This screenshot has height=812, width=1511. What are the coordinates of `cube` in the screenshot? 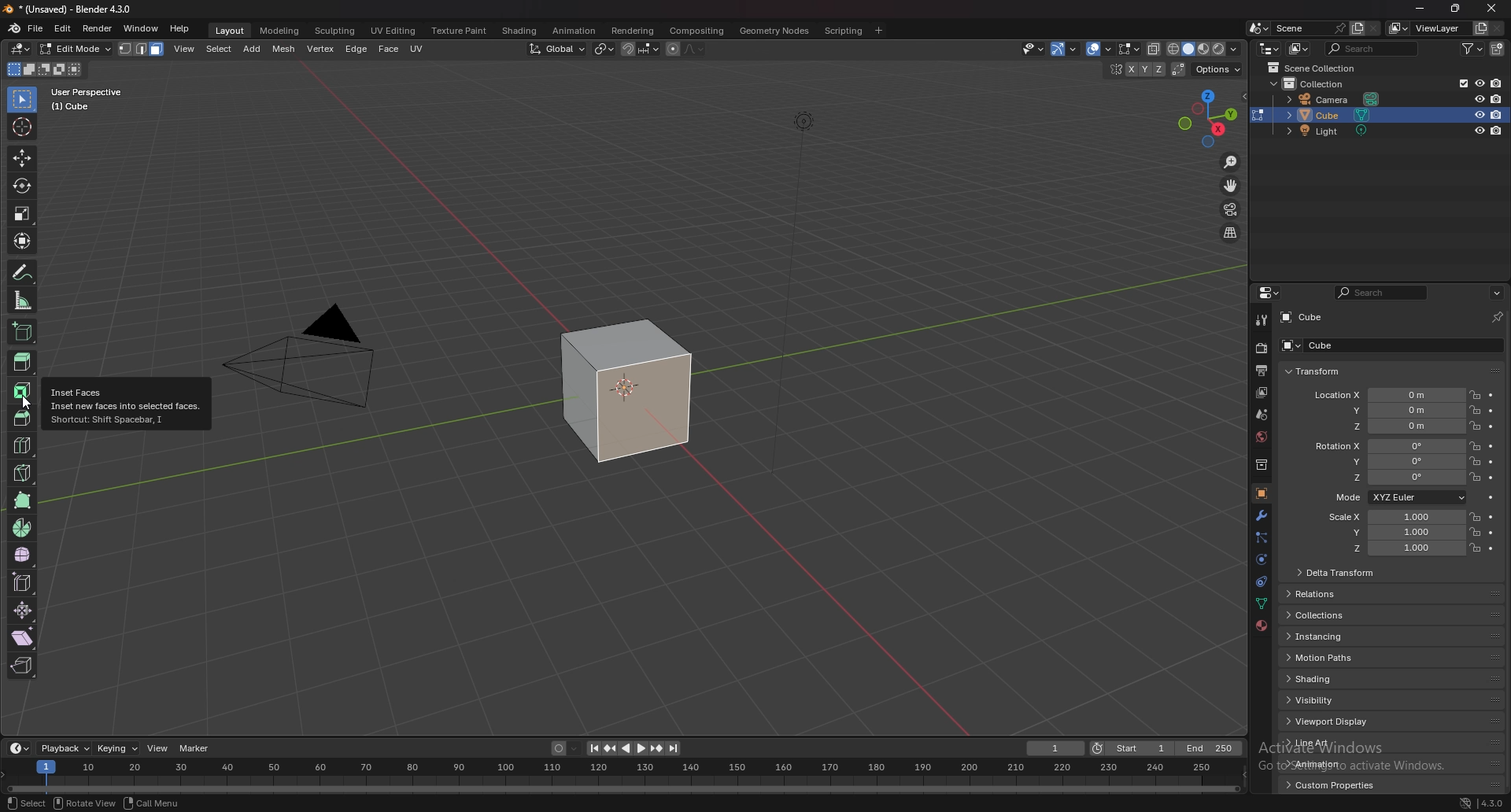 It's located at (1312, 345).